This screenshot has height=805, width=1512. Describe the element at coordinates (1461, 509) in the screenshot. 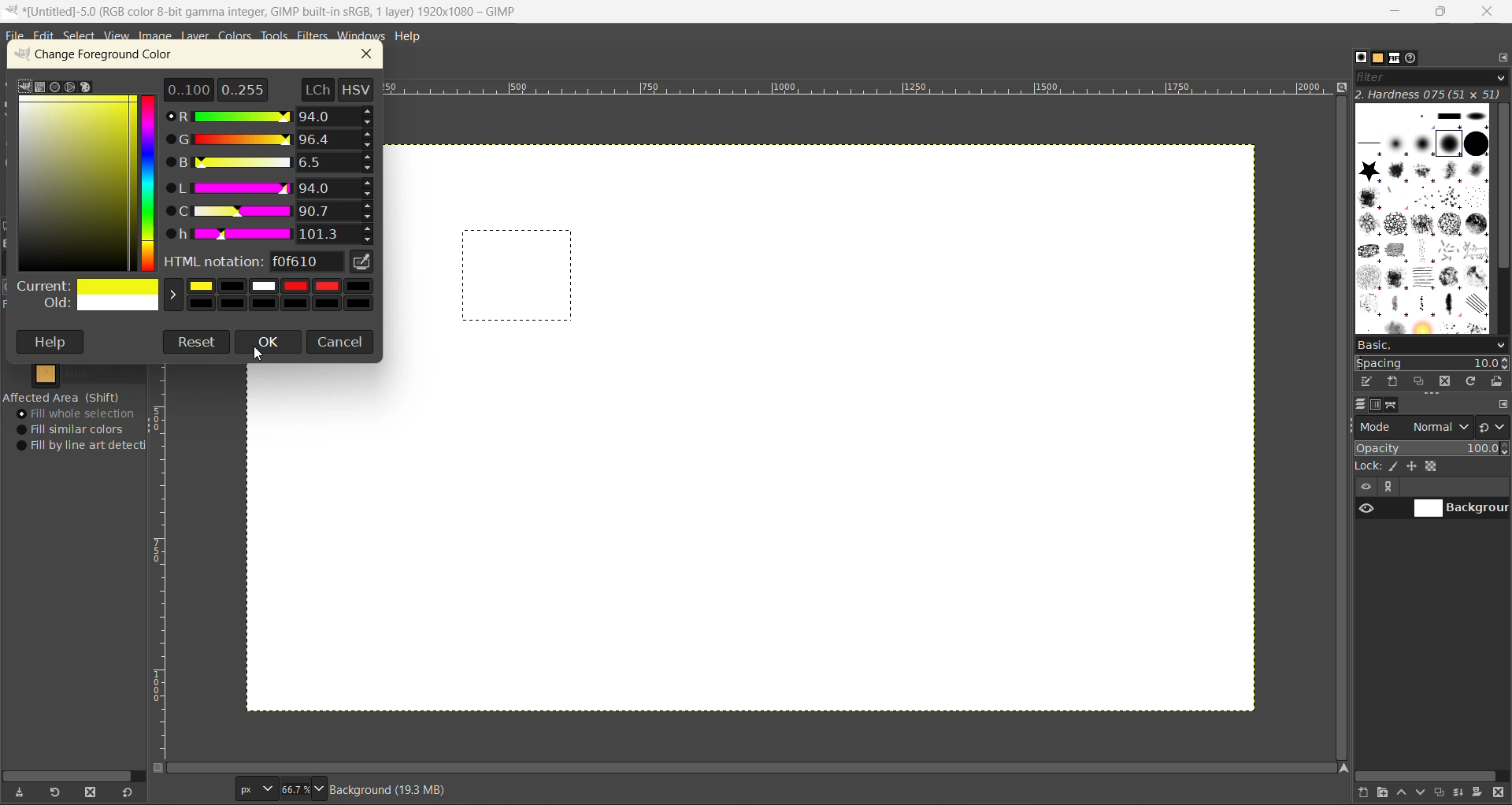

I see `background` at that location.